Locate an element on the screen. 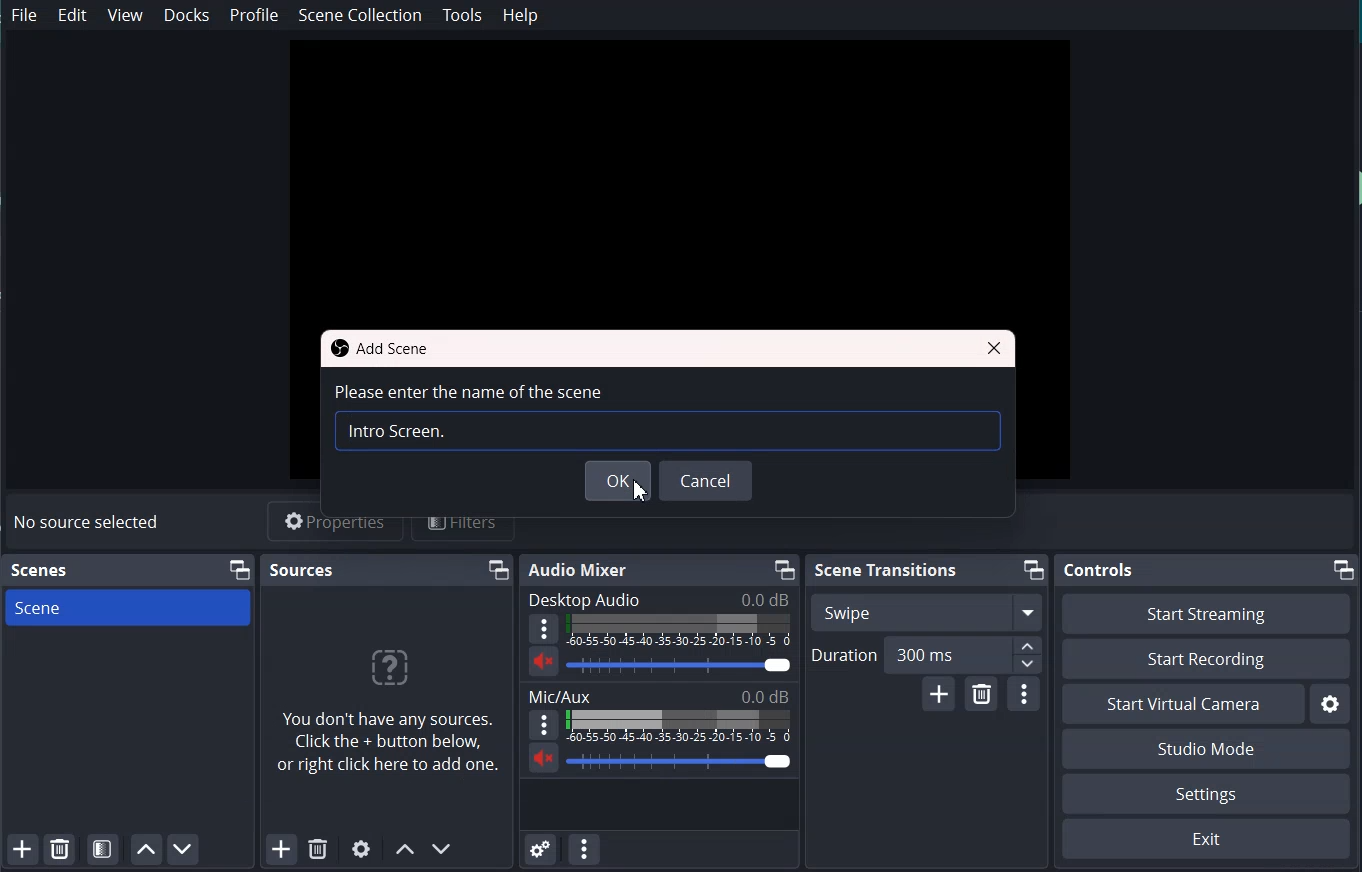 The height and width of the screenshot is (872, 1362). You don't have any sources.
Click the + button below,
or right click here to add one. is located at coordinates (390, 748).